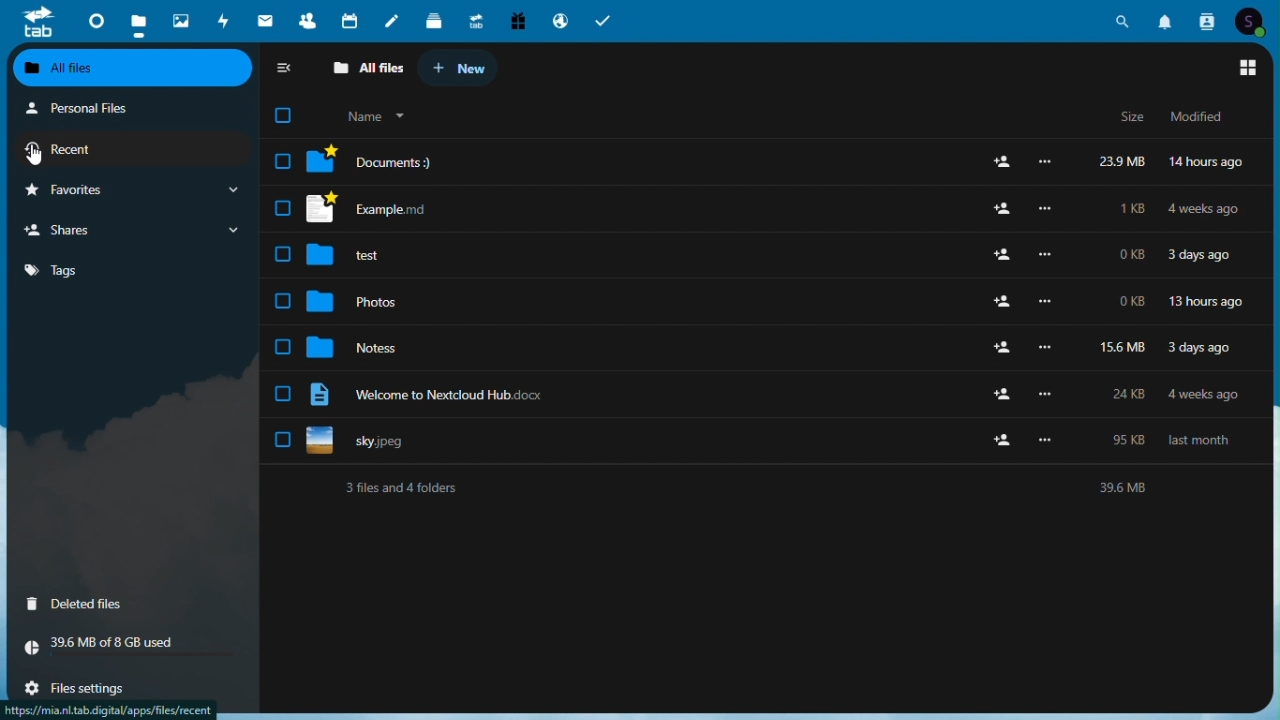 The image size is (1280, 720). Describe the element at coordinates (1049, 299) in the screenshot. I see `options` at that location.